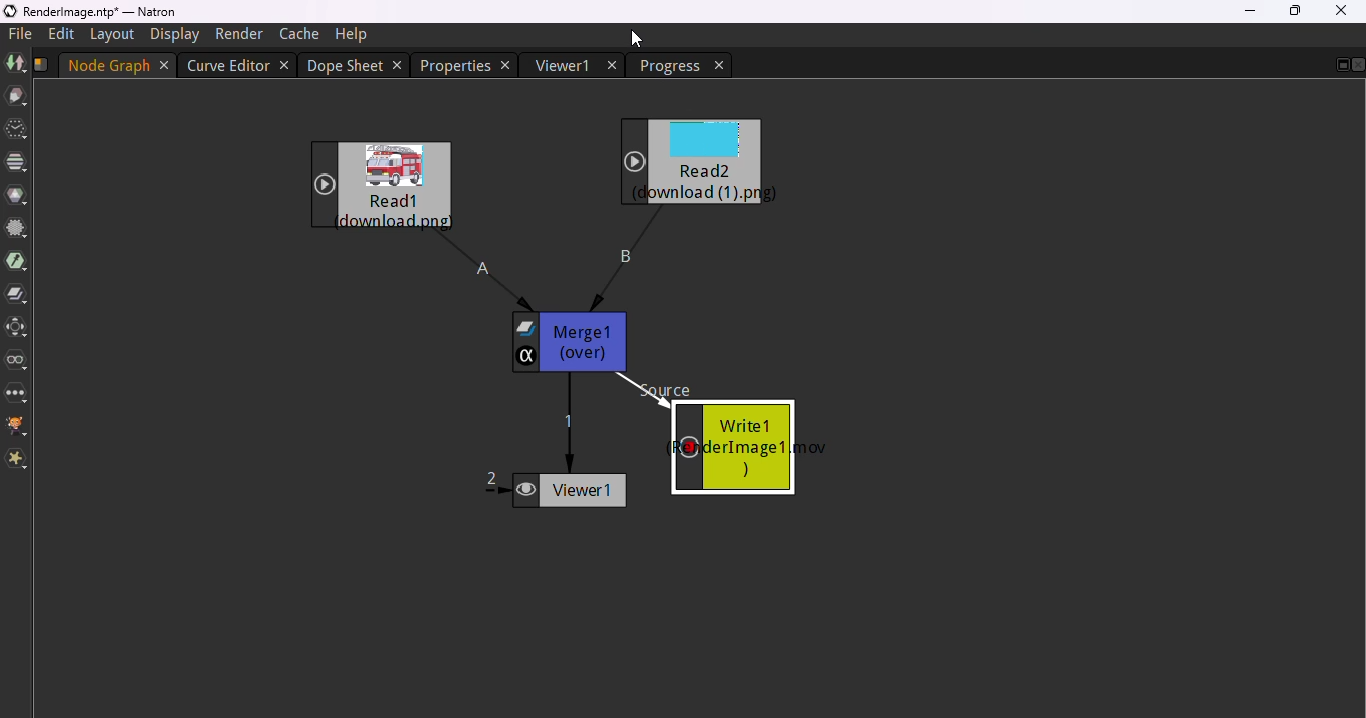 Image resolution: width=1366 pixels, height=718 pixels. What do you see at coordinates (573, 343) in the screenshot?
I see `merge 1` at bounding box center [573, 343].